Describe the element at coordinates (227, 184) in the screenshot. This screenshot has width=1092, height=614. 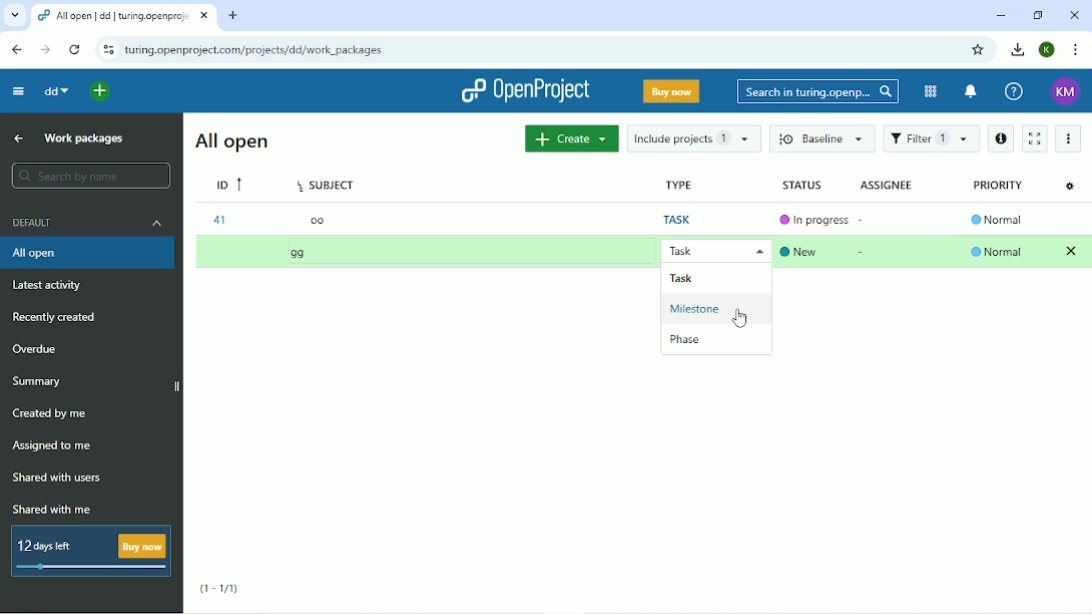
I see `ID` at that location.